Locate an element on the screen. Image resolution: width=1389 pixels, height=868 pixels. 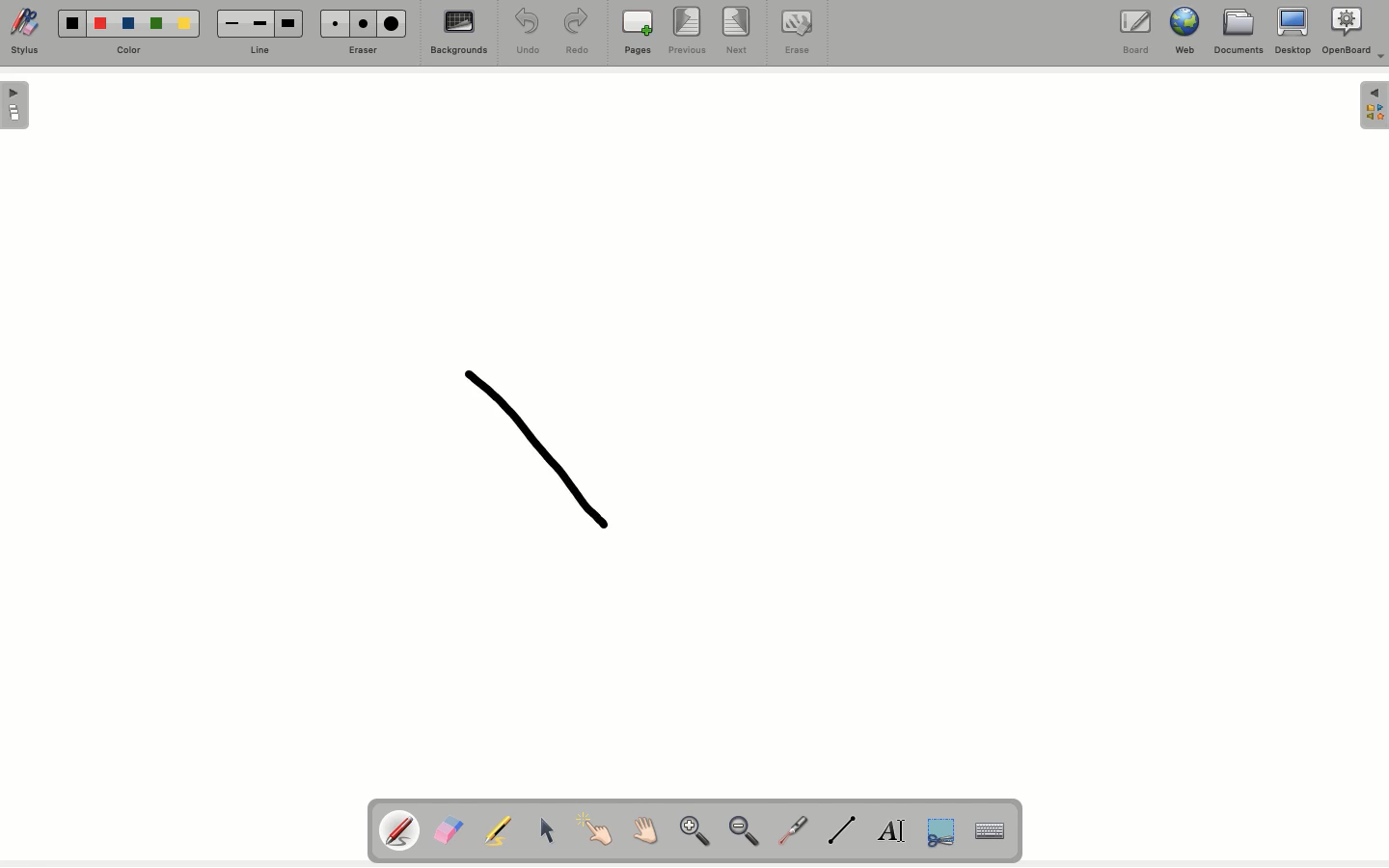
Previous is located at coordinates (690, 33).